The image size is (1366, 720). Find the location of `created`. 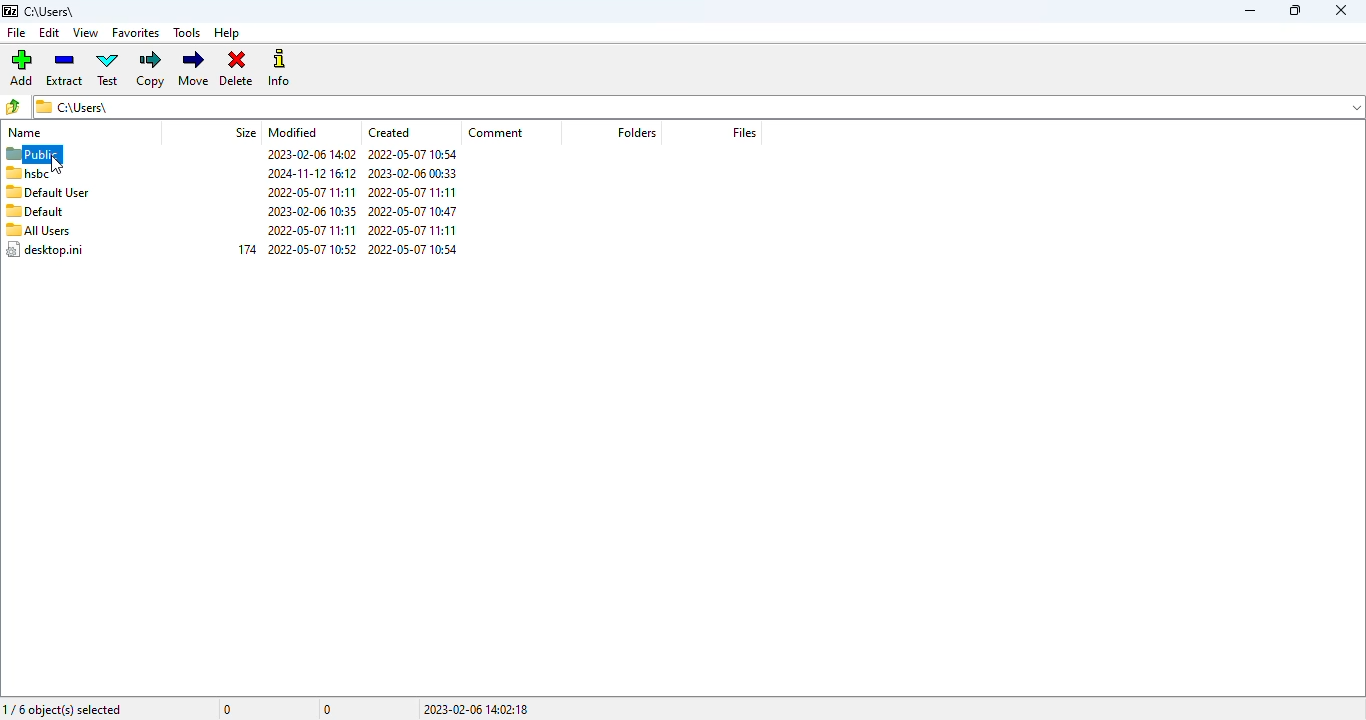

created is located at coordinates (388, 132).